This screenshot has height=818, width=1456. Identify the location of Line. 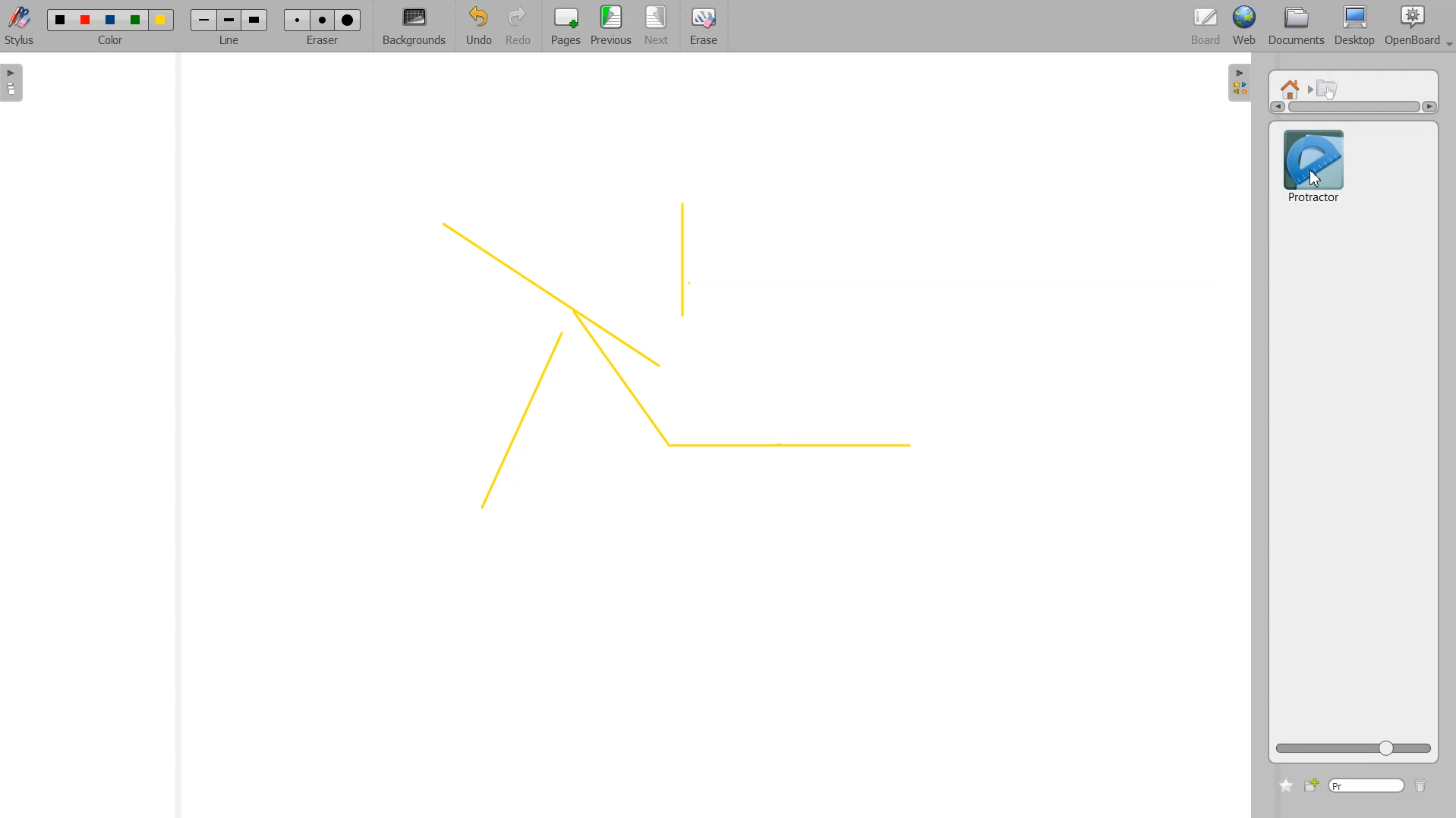
(229, 20).